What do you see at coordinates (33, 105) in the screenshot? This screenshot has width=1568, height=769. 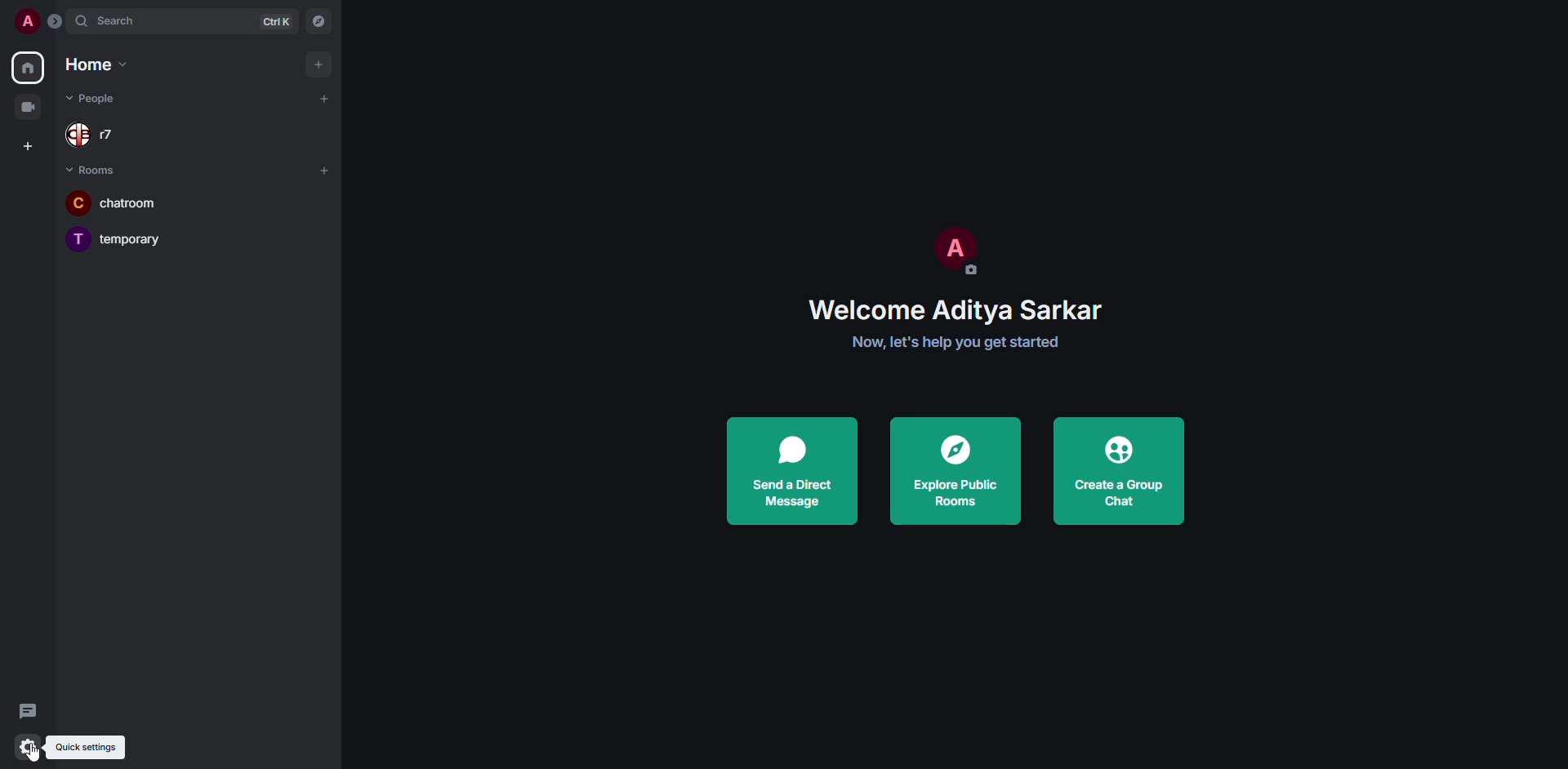 I see `video room` at bounding box center [33, 105].